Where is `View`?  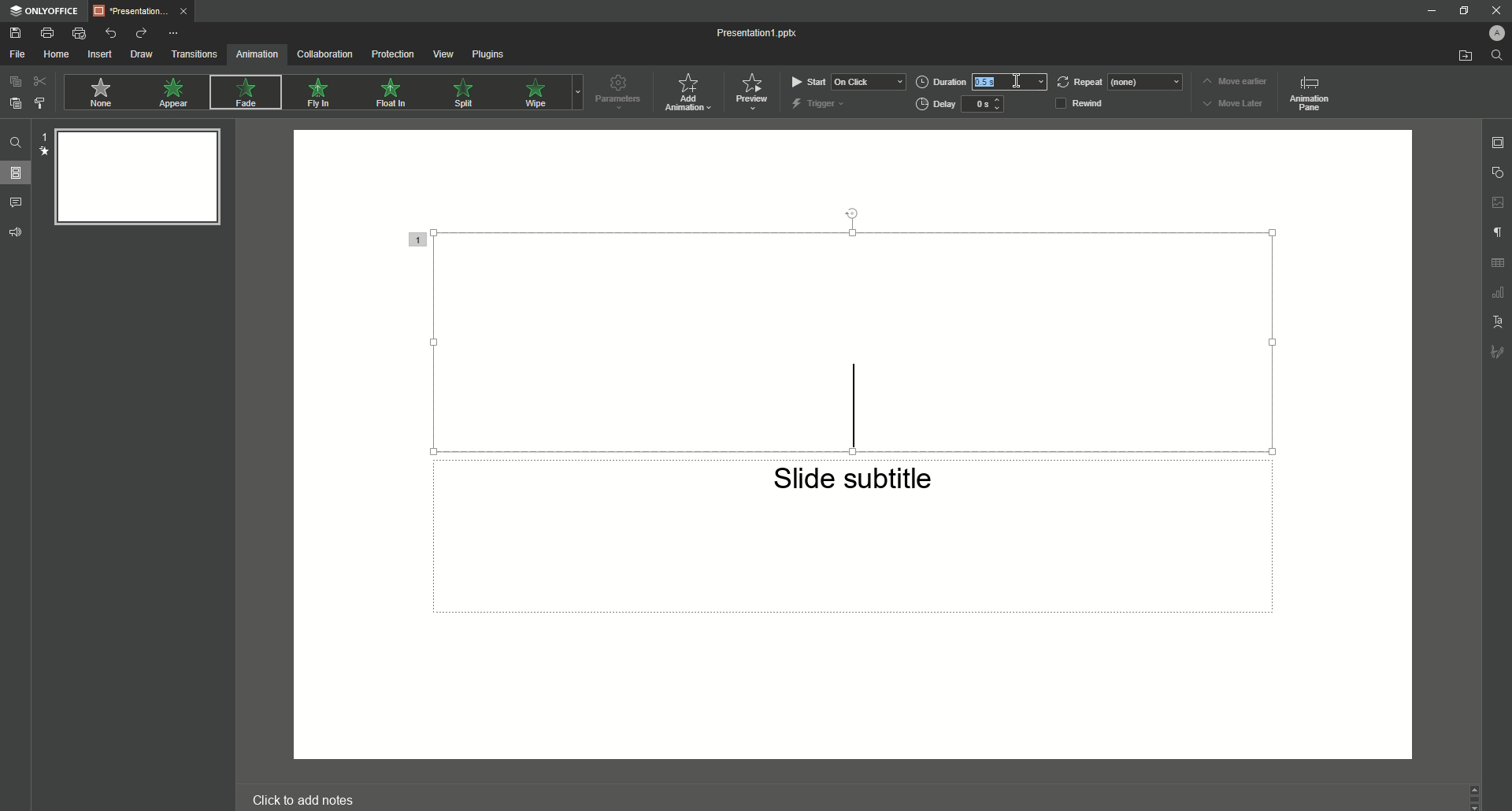 View is located at coordinates (443, 54).